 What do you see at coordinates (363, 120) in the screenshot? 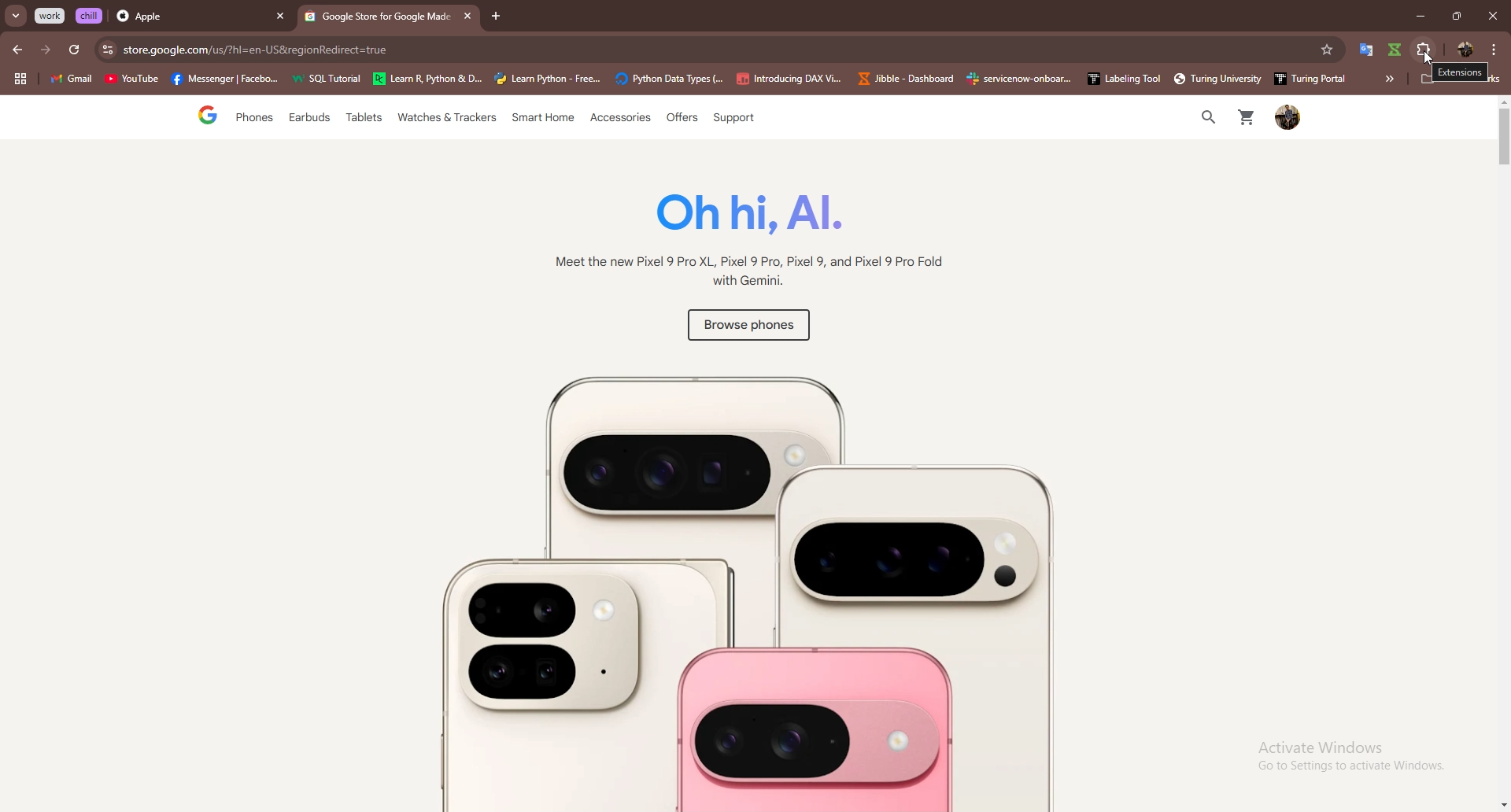
I see `Tablets` at bounding box center [363, 120].